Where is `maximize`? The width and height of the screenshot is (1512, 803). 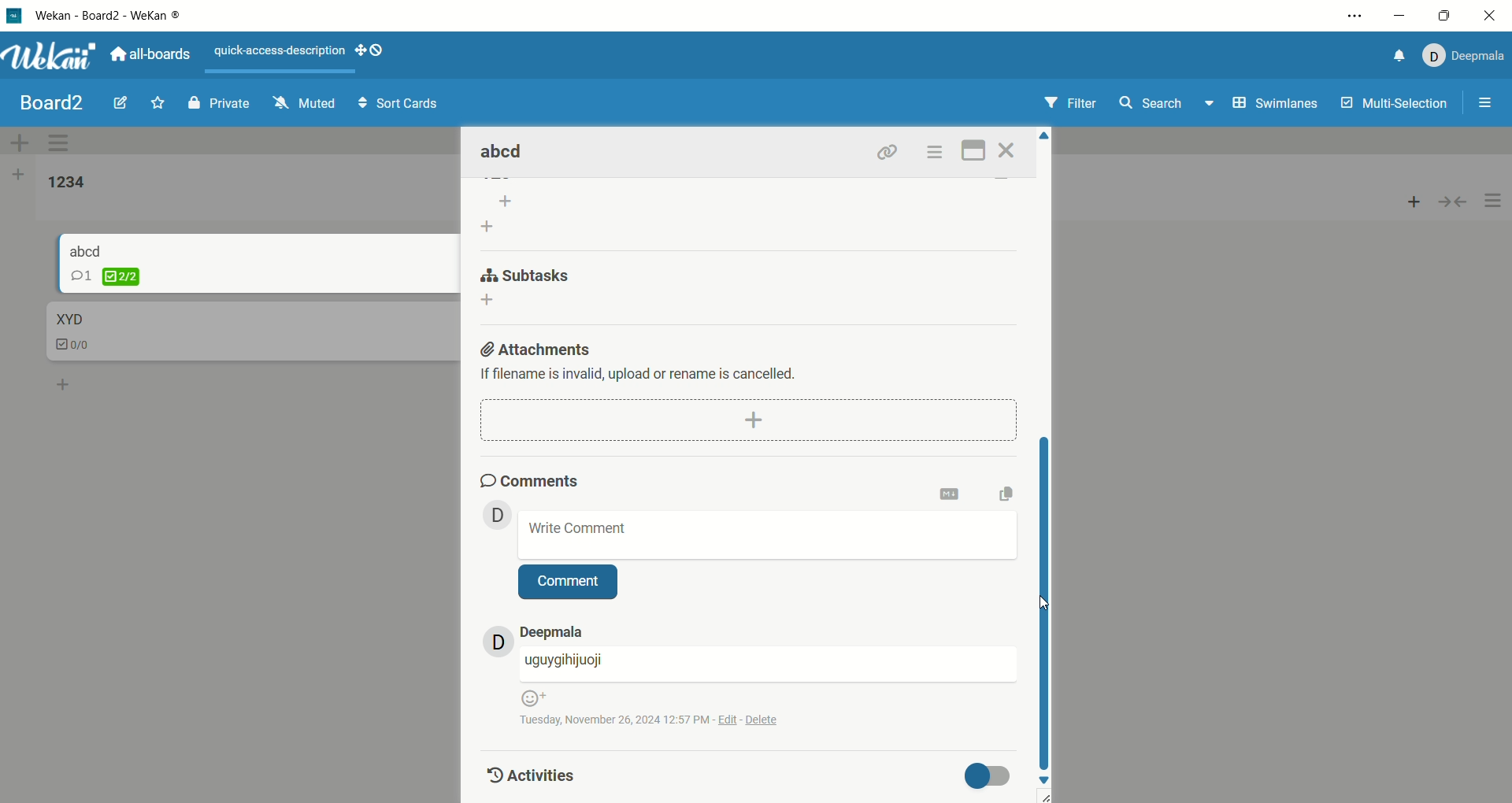 maximize is located at coordinates (1444, 17).